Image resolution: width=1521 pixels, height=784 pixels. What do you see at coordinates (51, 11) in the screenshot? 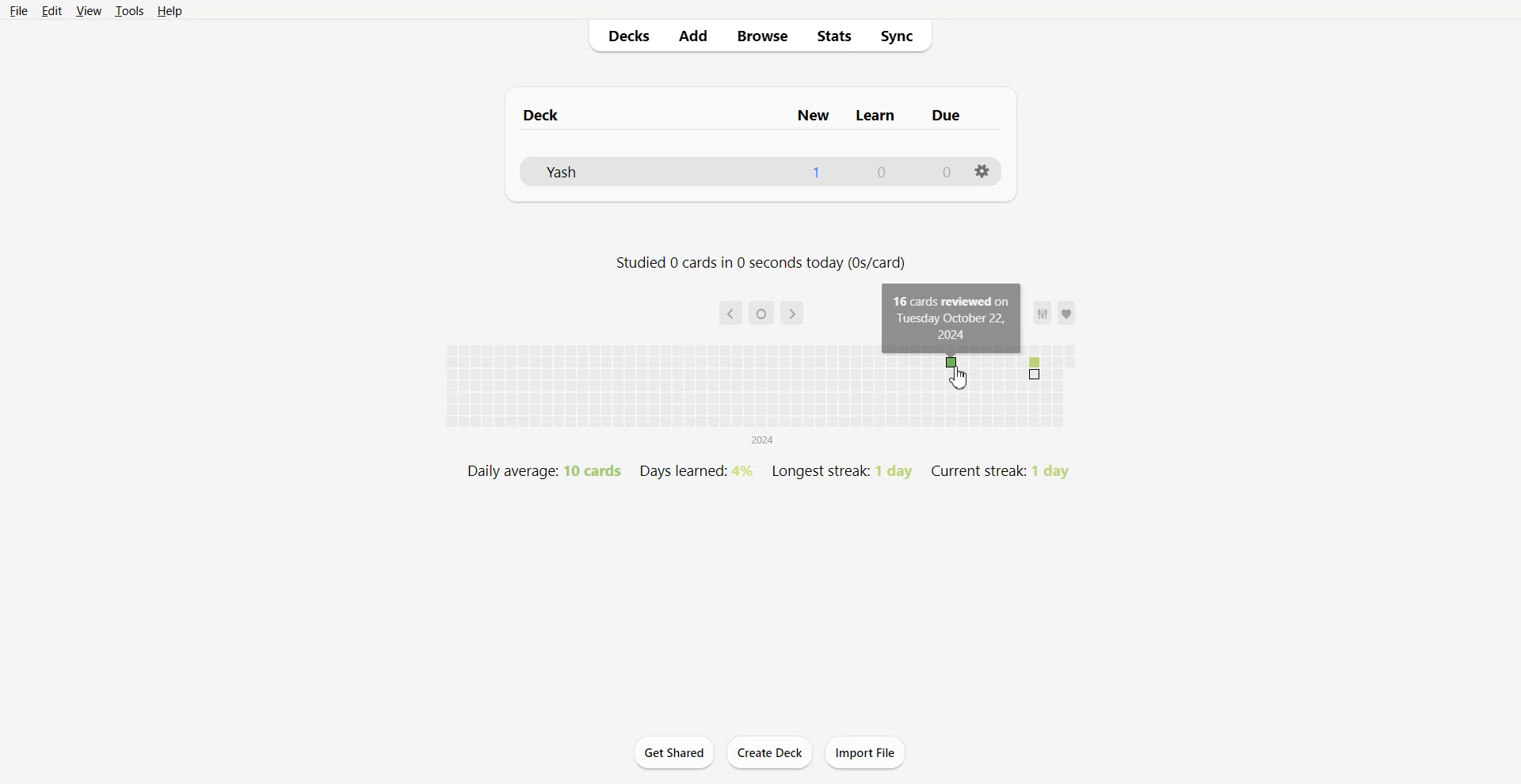
I see `Edit` at bounding box center [51, 11].